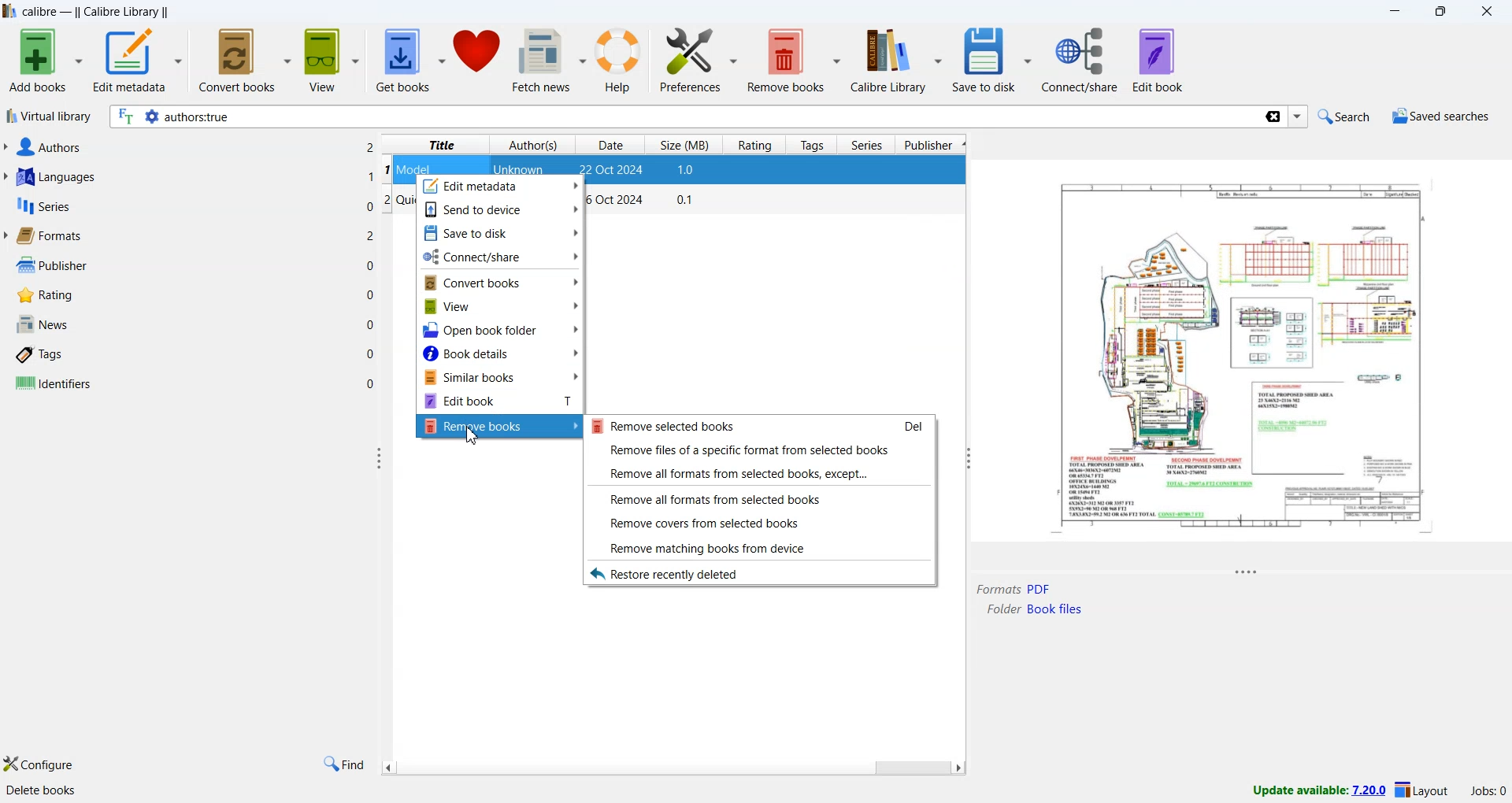 This screenshot has height=803, width=1512. What do you see at coordinates (501, 209) in the screenshot?
I see `Send to devices` at bounding box center [501, 209].